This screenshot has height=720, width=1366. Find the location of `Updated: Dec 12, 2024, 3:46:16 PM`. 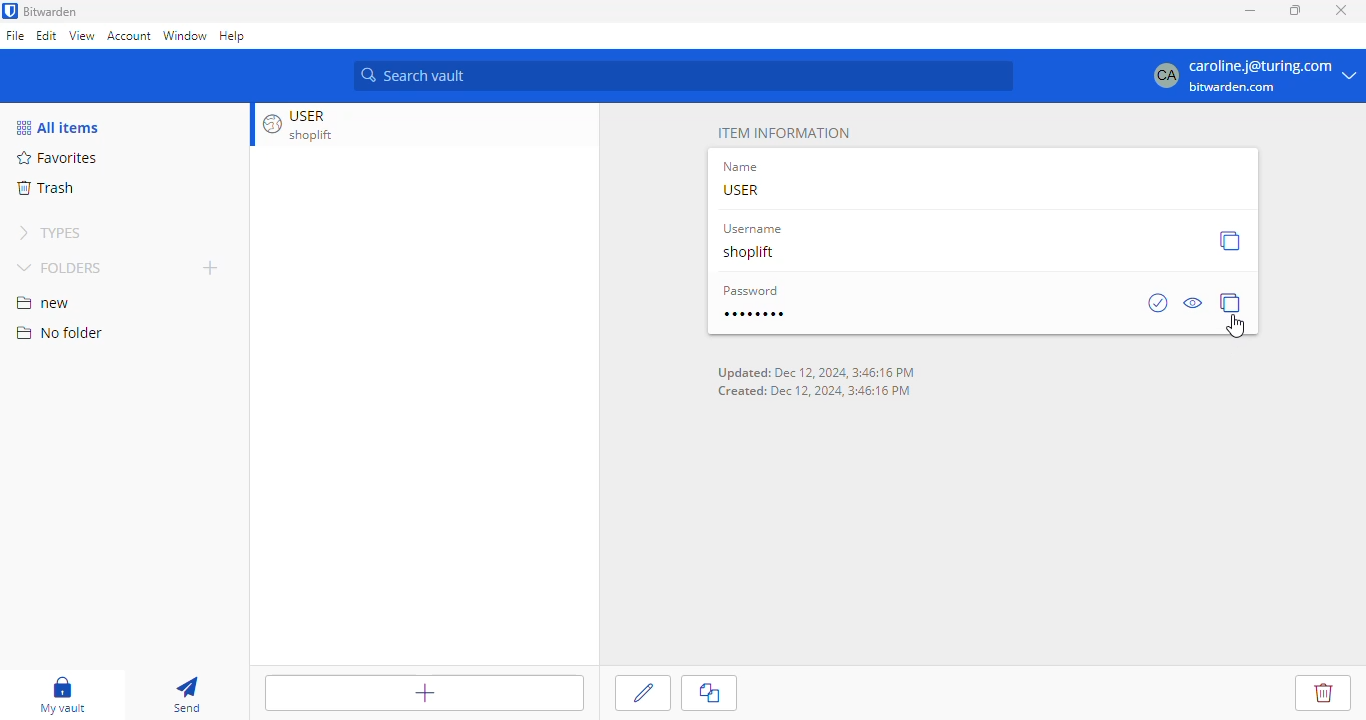

Updated: Dec 12, 2024, 3:46:16 PM is located at coordinates (816, 373).